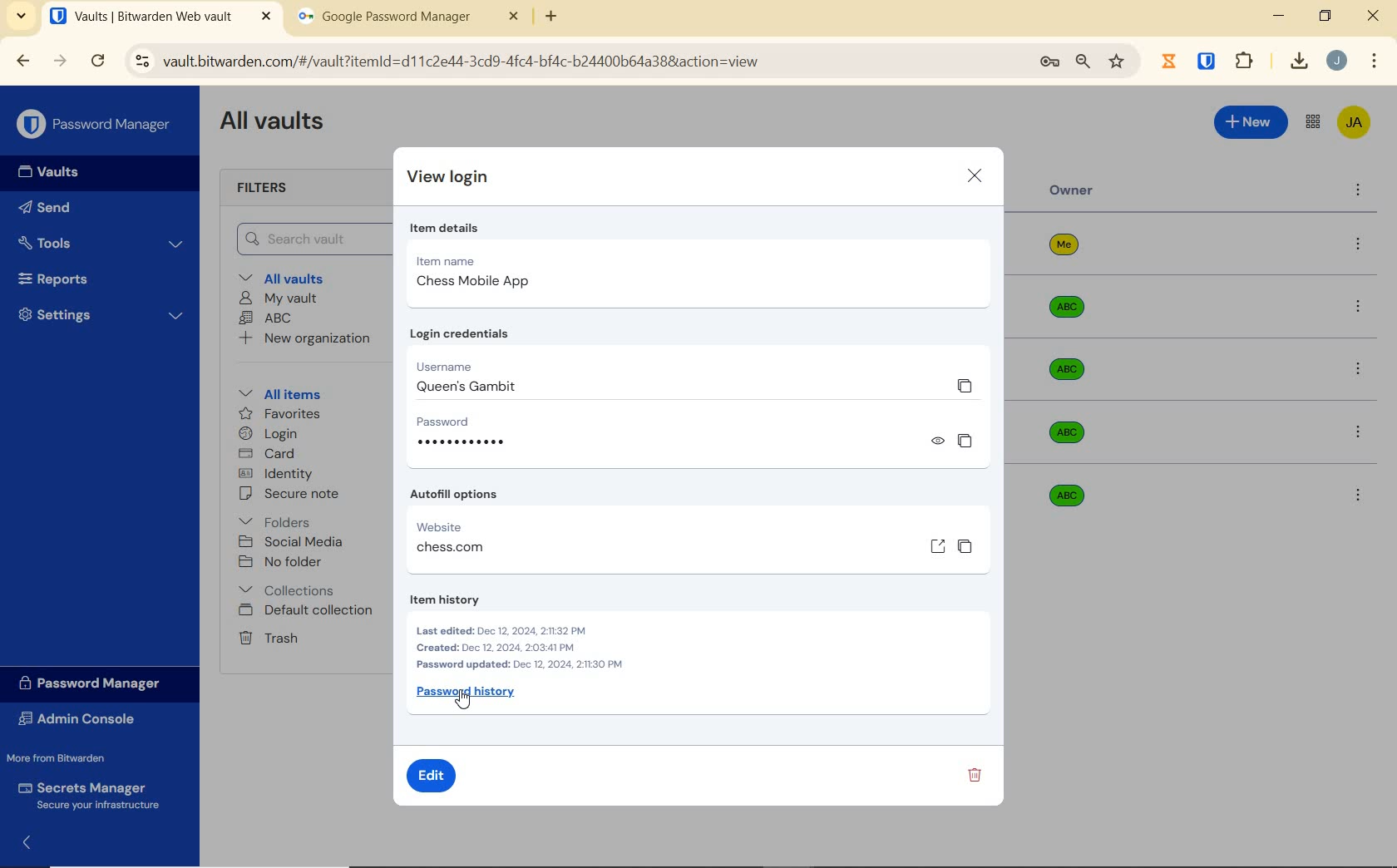 This screenshot has width=1397, height=868. What do you see at coordinates (522, 628) in the screenshot?
I see `Item history` at bounding box center [522, 628].